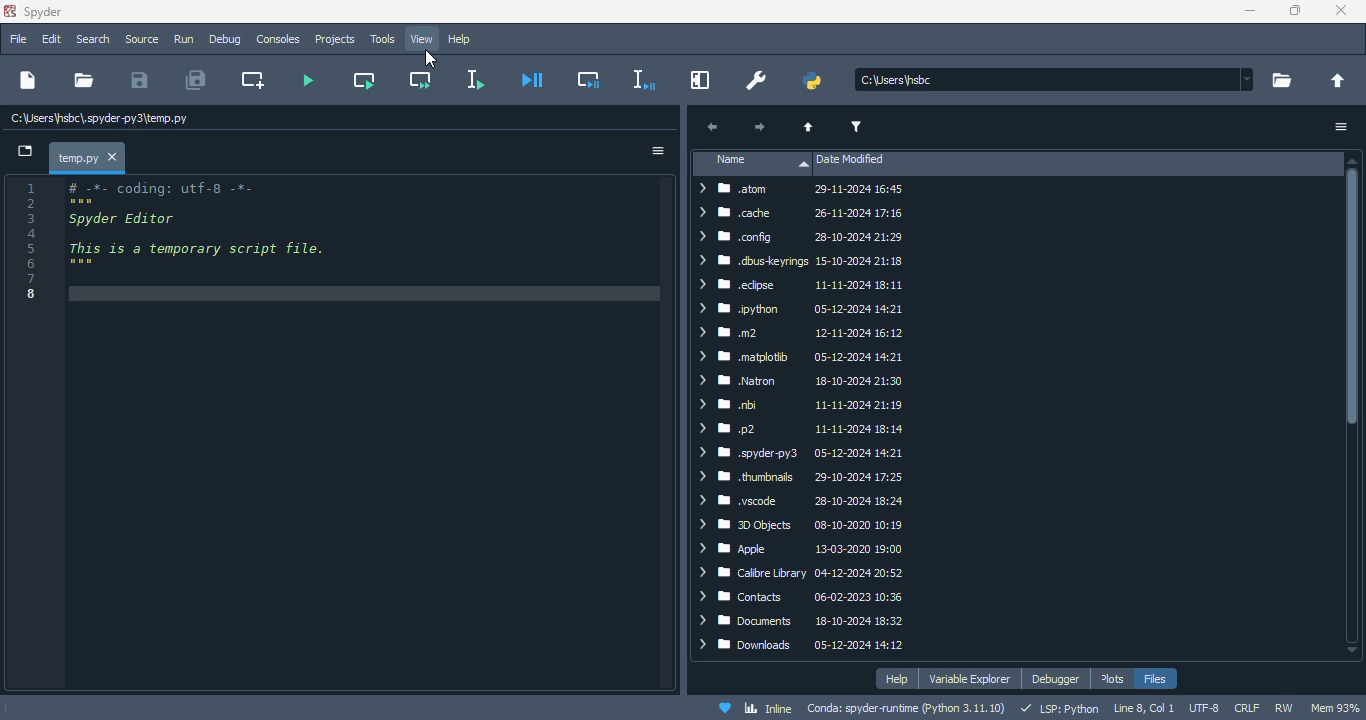  Describe the element at coordinates (756, 80) in the screenshot. I see `preferences` at that location.